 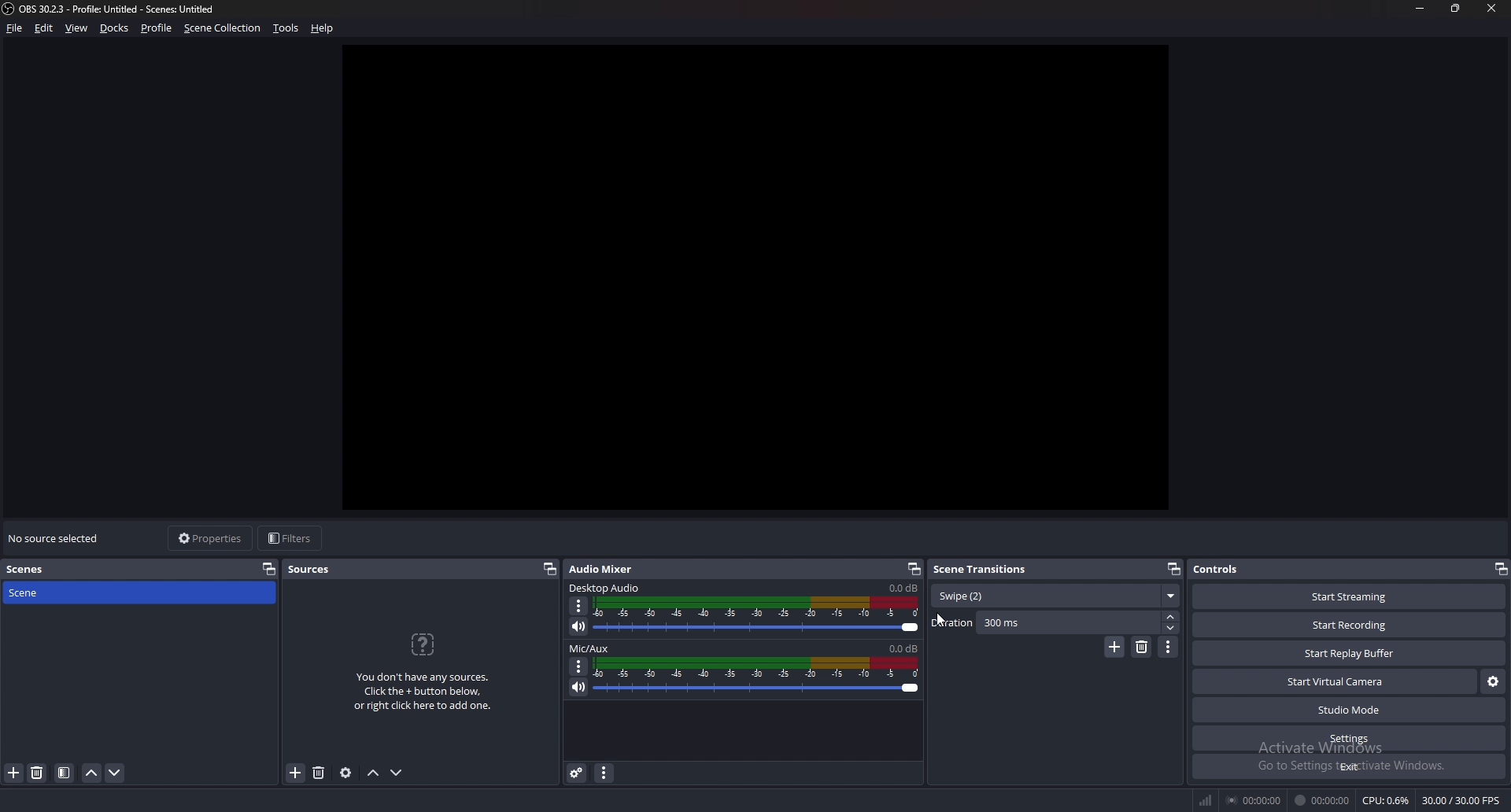 I want to click on workspace, so click(x=765, y=275).